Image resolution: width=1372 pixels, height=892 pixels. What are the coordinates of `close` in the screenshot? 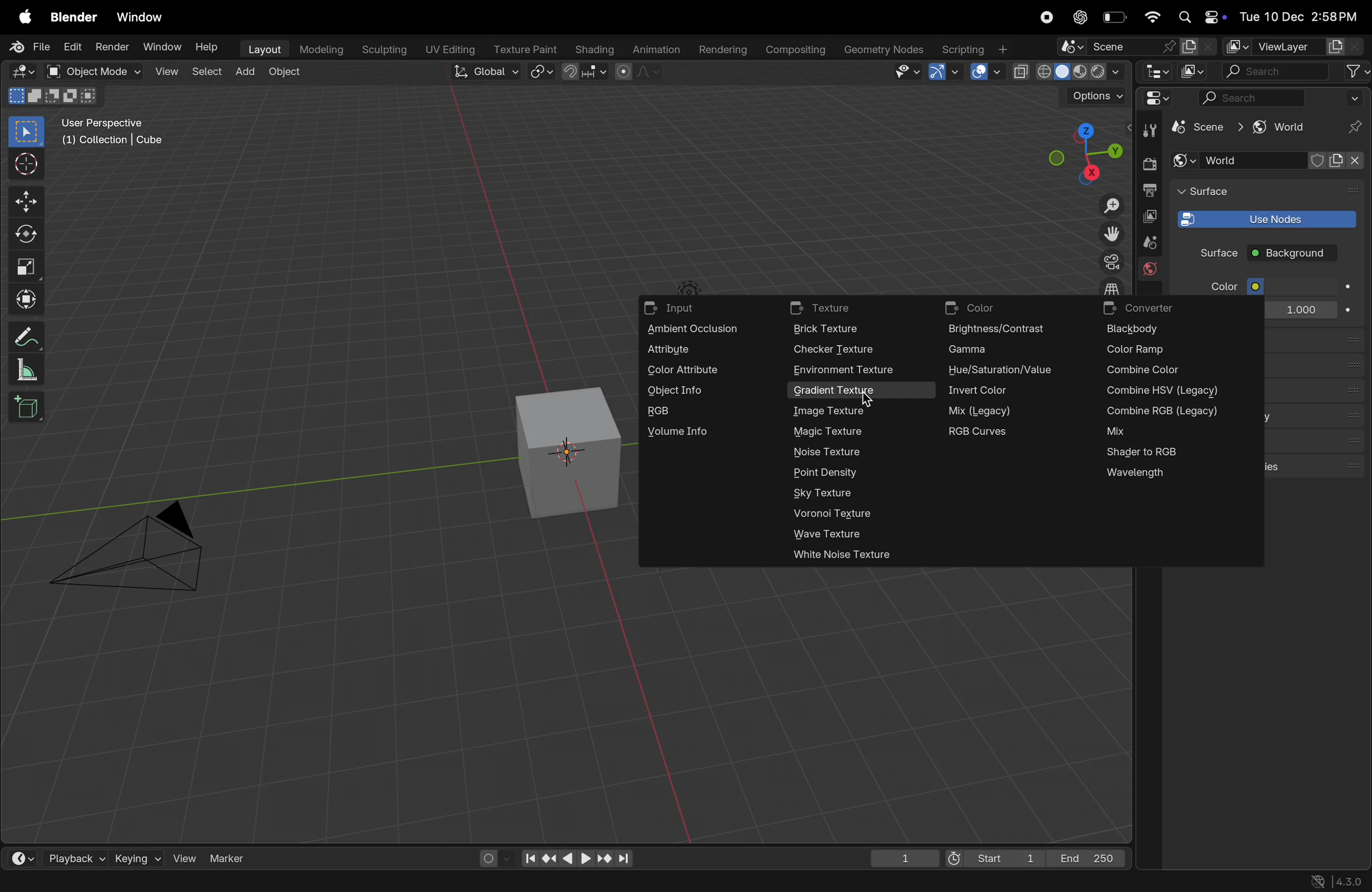 It's located at (1349, 167).